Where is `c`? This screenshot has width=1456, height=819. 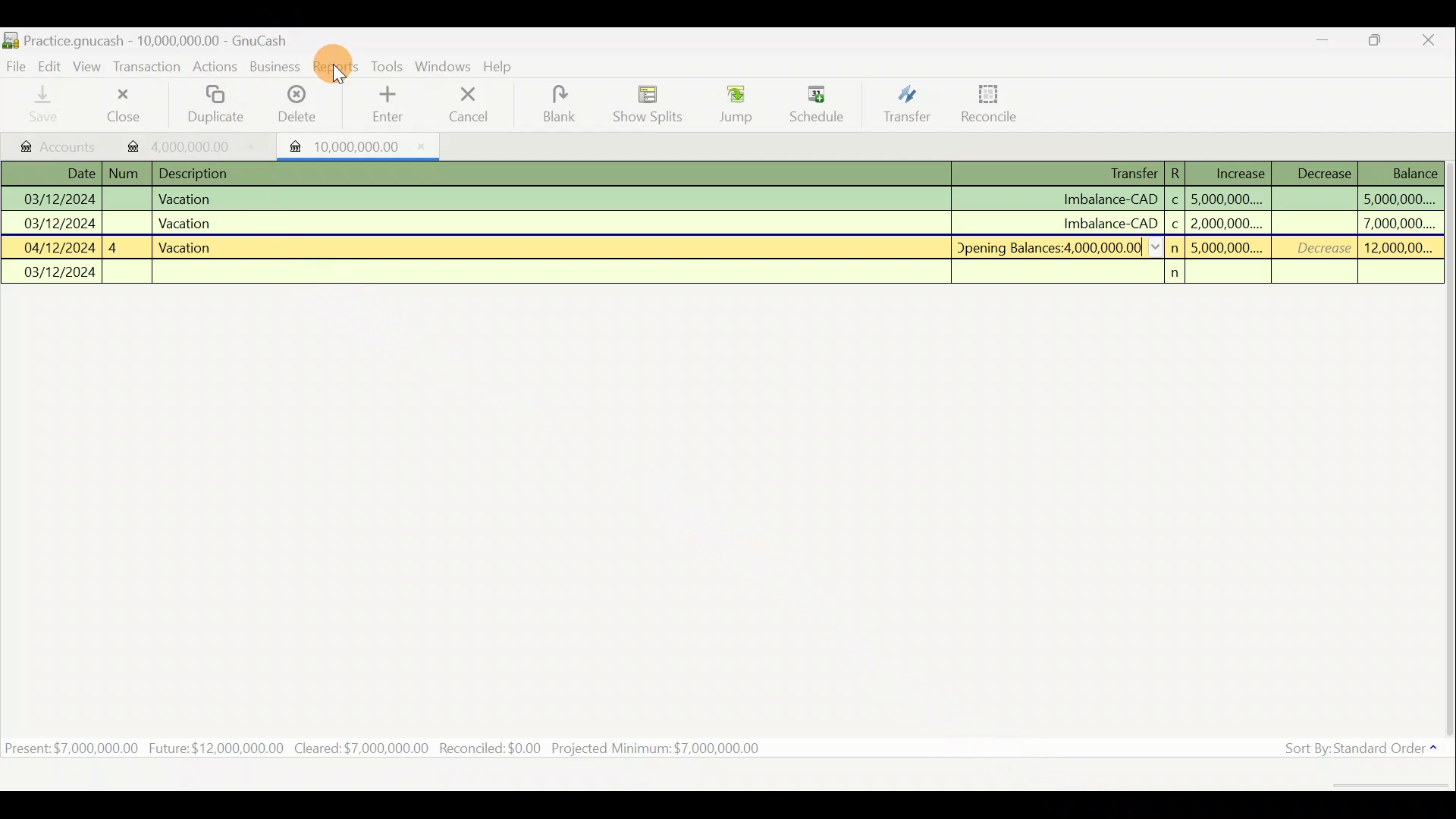
c is located at coordinates (1175, 200).